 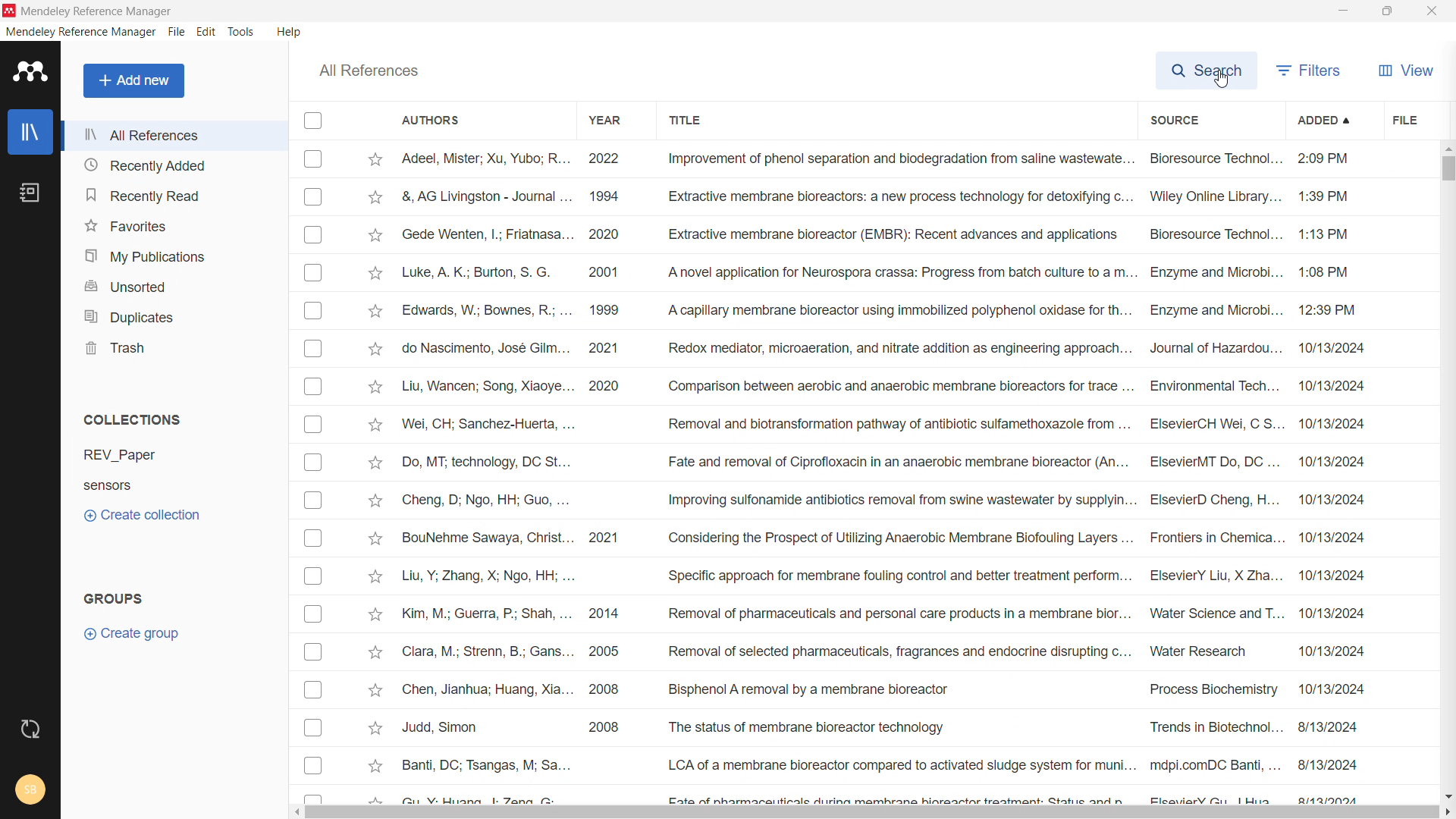 I want to click on Nei, CH; Sanchez-Huerta, ... Removal and biotransformation pathway of antibiotic sulfamethoxazole from...  ElsevierCH Wei, C S. 10/13/2024, so click(x=884, y=424).